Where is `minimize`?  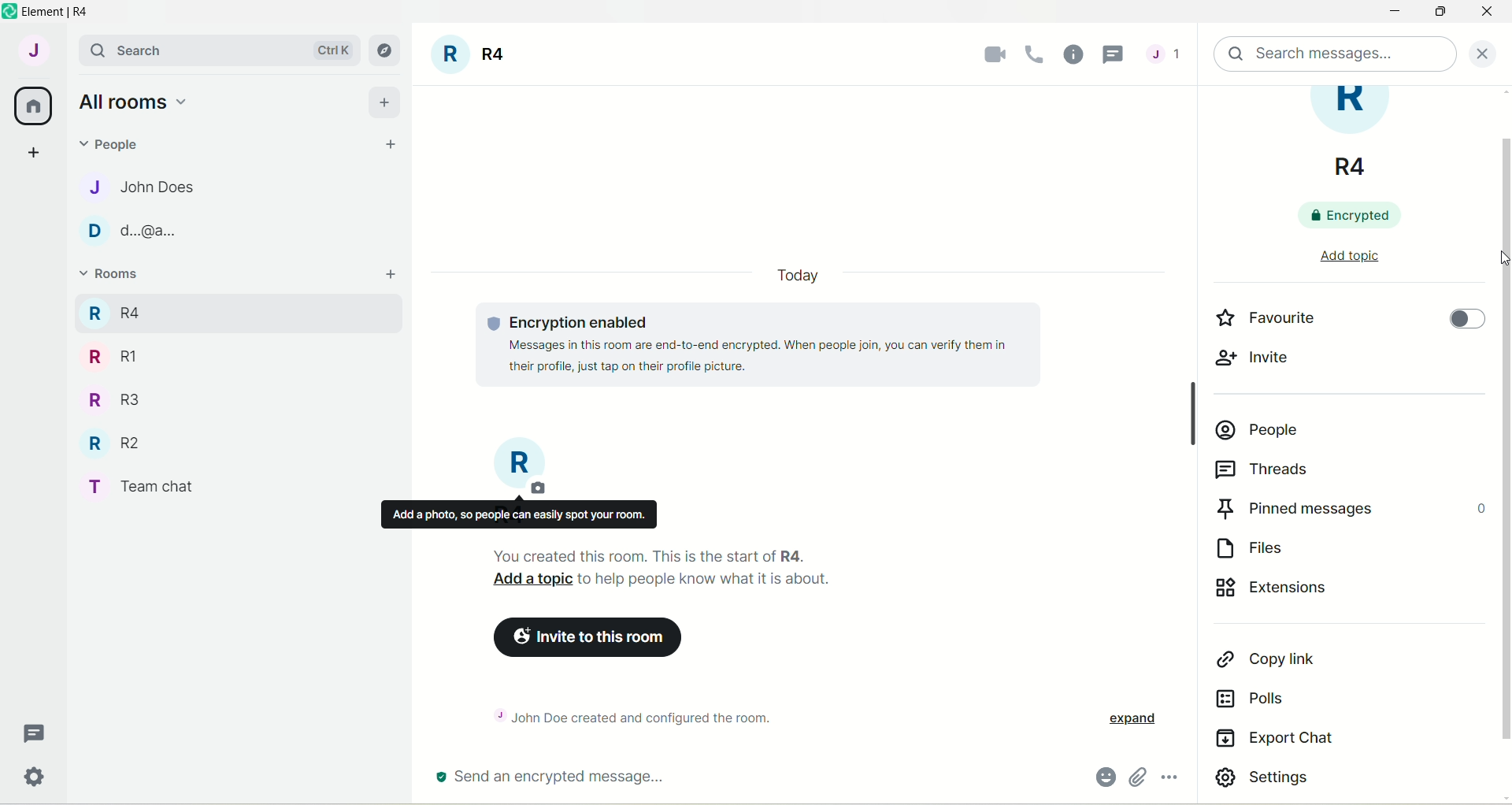
minimize is located at coordinates (1392, 13).